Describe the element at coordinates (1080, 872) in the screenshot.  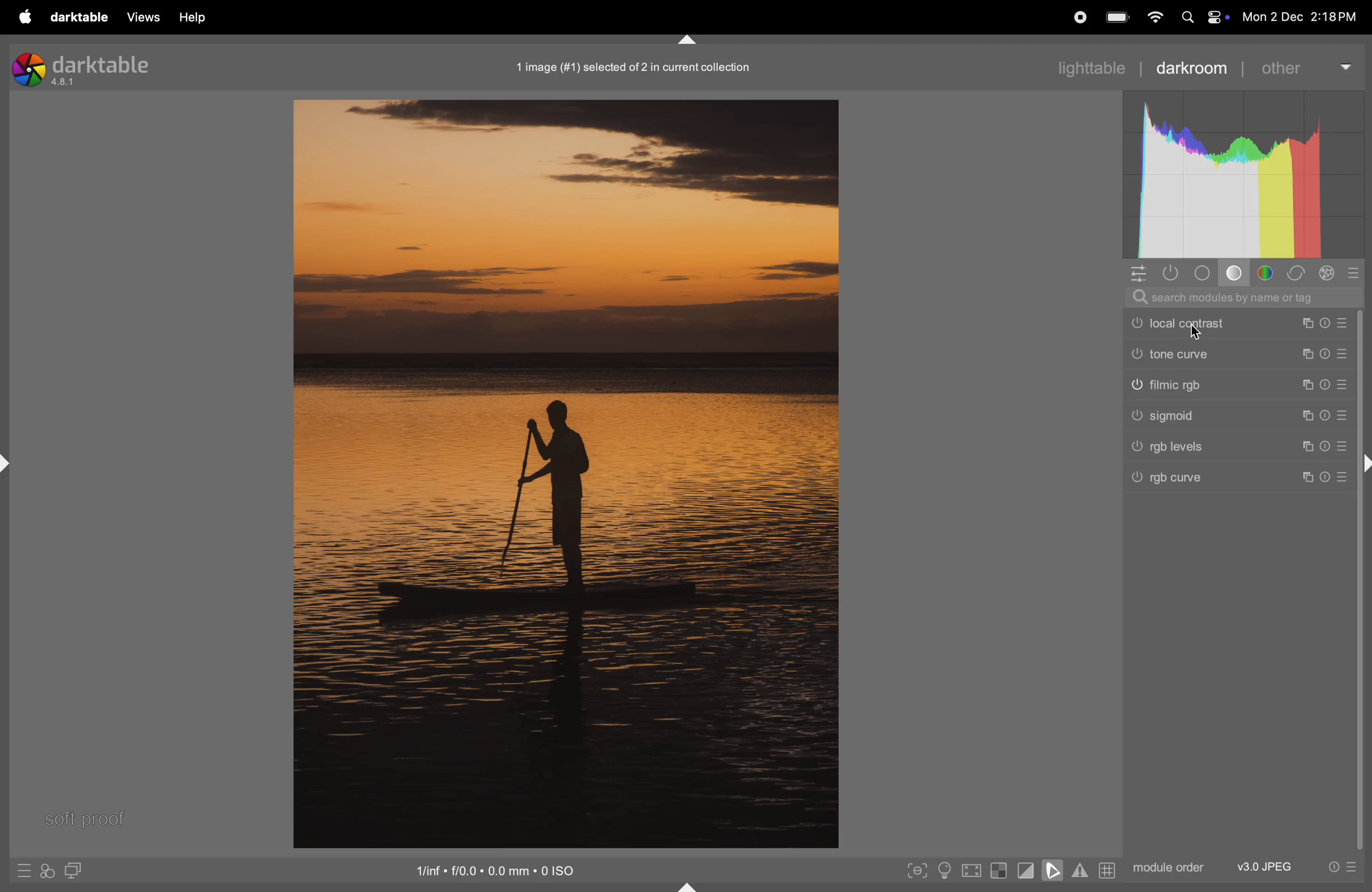
I see `toggle gamut checking` at that location.